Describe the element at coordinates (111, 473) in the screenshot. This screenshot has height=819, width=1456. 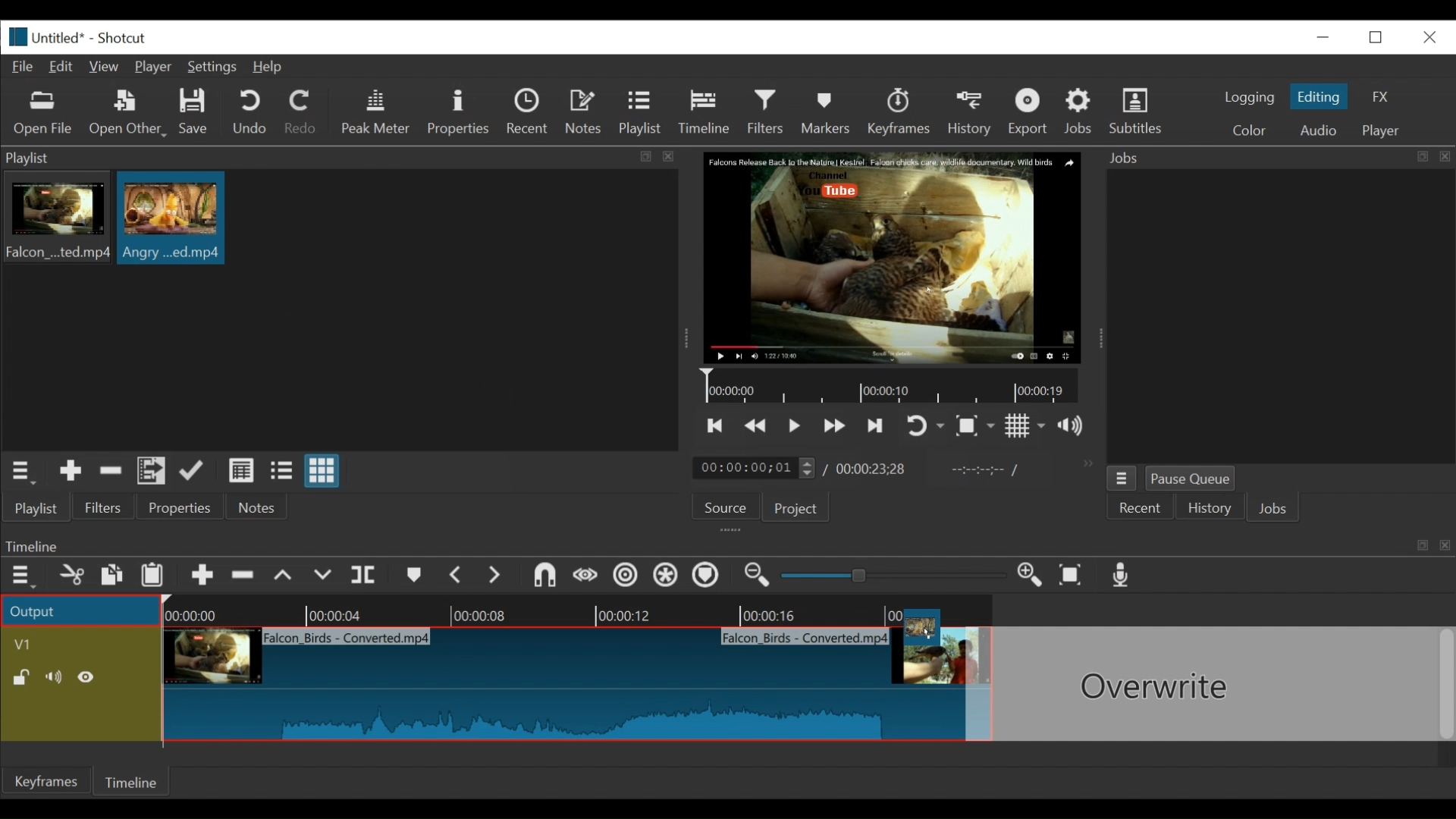
I see `Remove cut` at that location.